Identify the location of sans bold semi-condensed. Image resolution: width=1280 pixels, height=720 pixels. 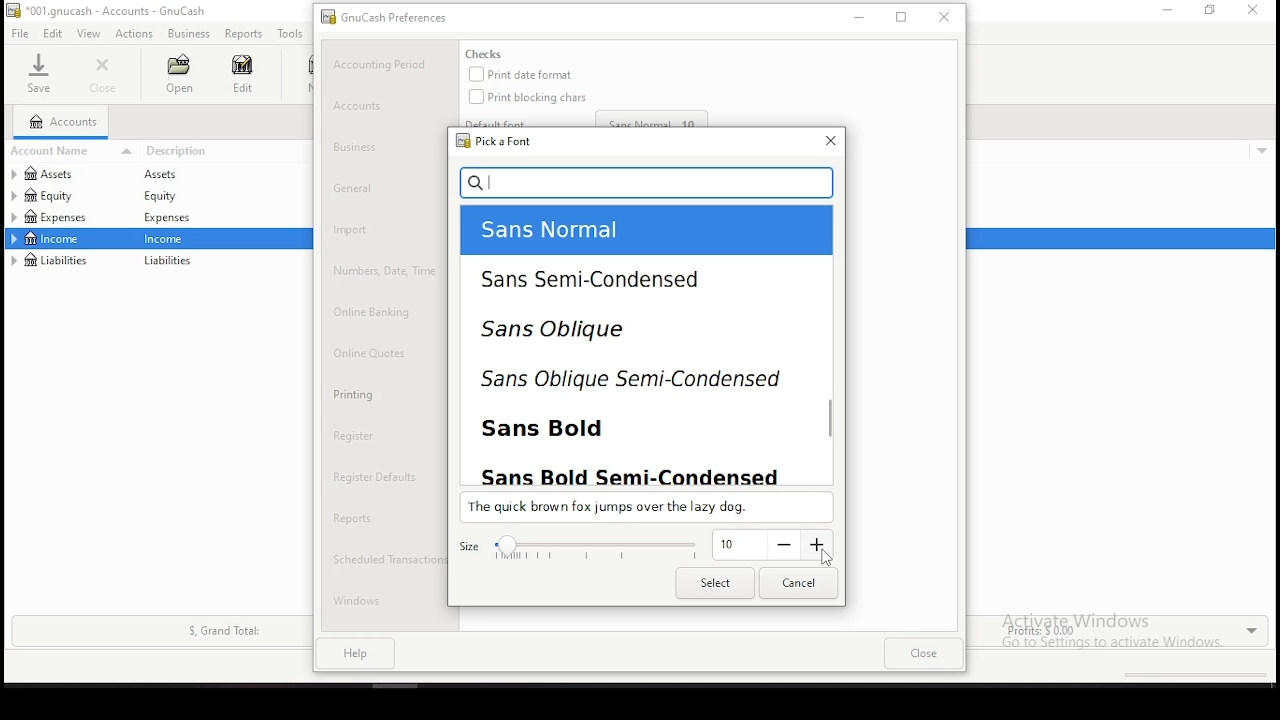
(637, 472).